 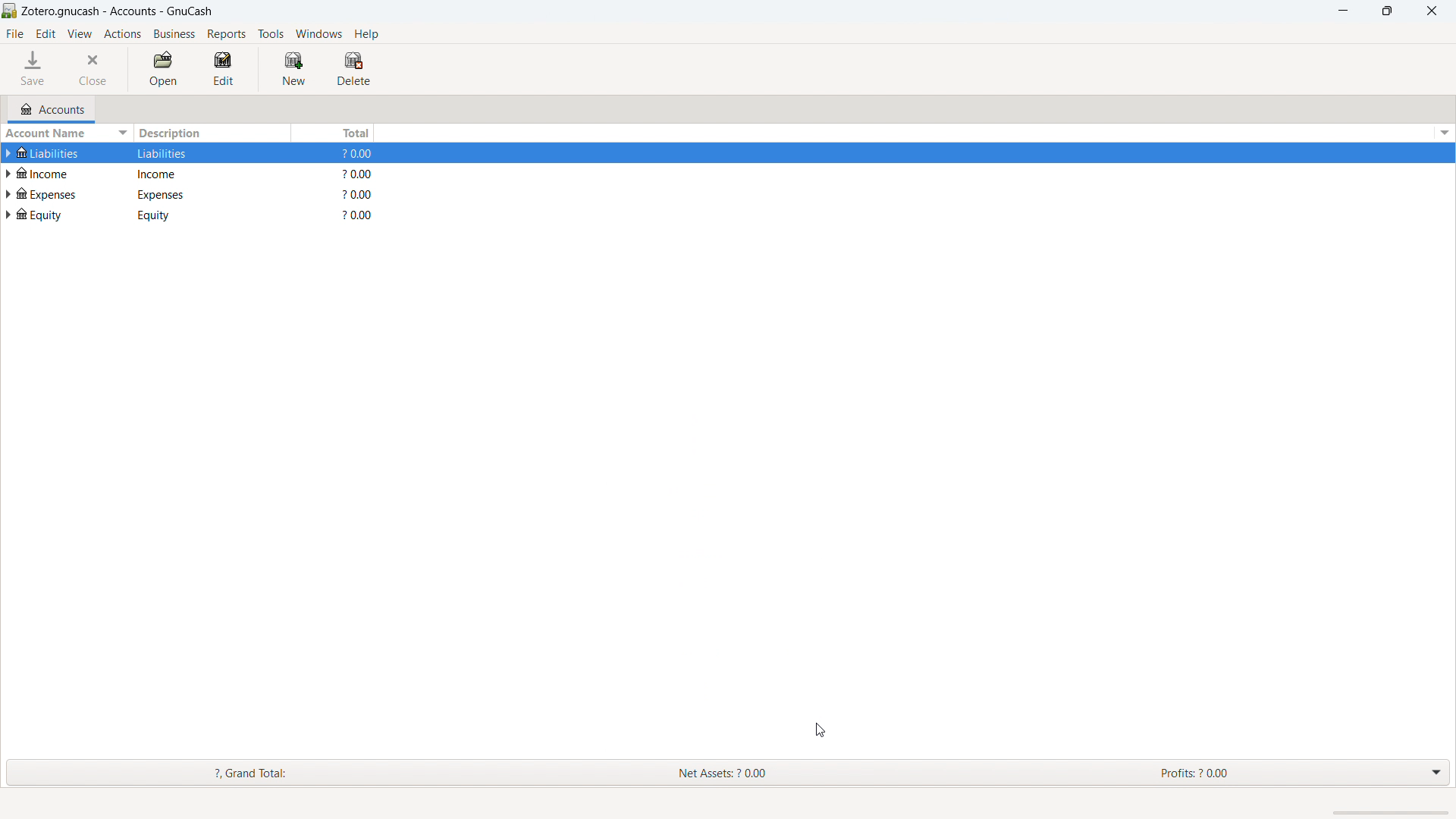 I want to click on business, so click(x=175, y=34).